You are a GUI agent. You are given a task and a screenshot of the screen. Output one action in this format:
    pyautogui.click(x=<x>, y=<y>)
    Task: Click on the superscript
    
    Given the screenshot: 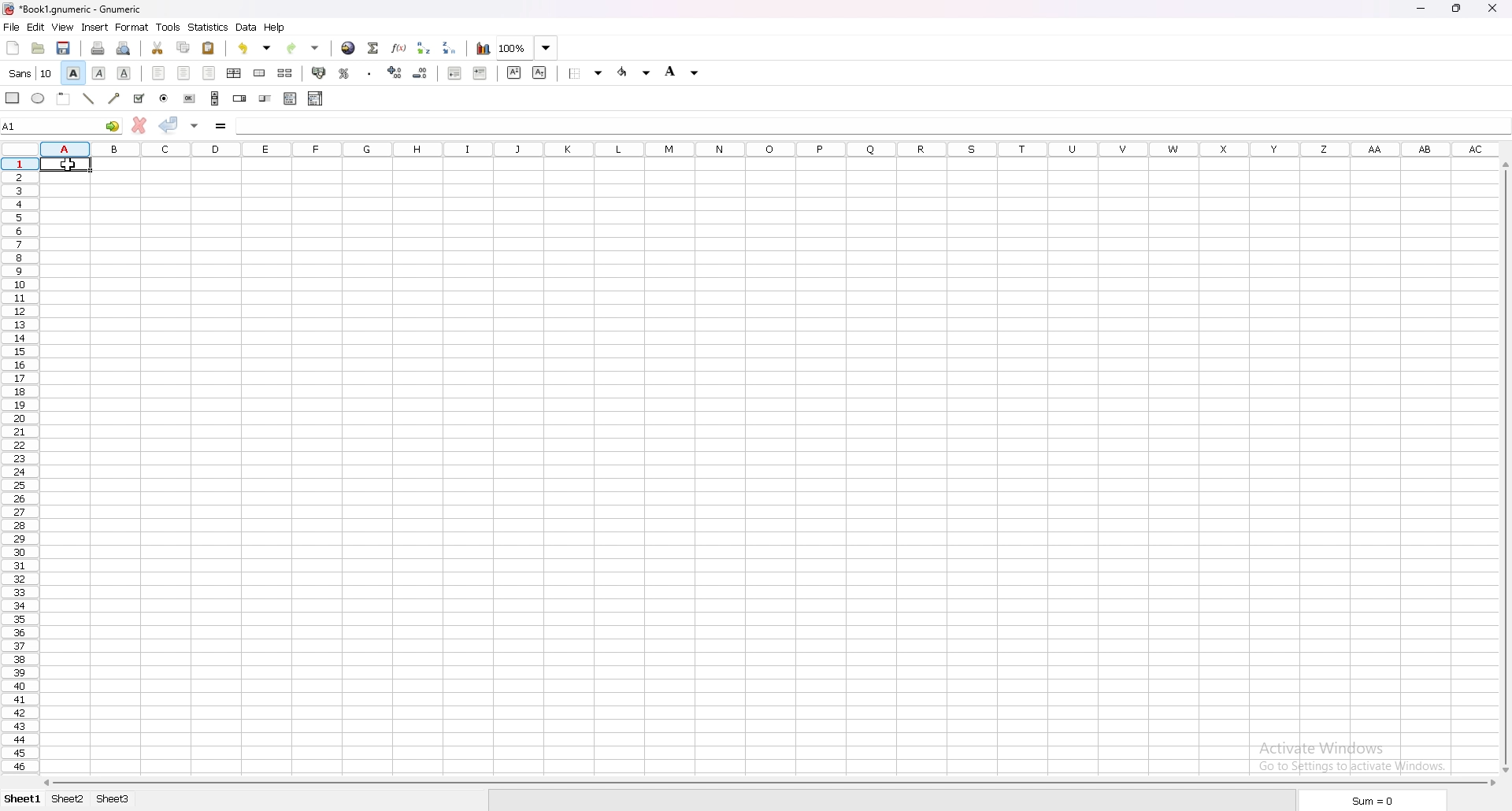 What is the action you would take?
    pyautogui.click(x=513, y=72)
    